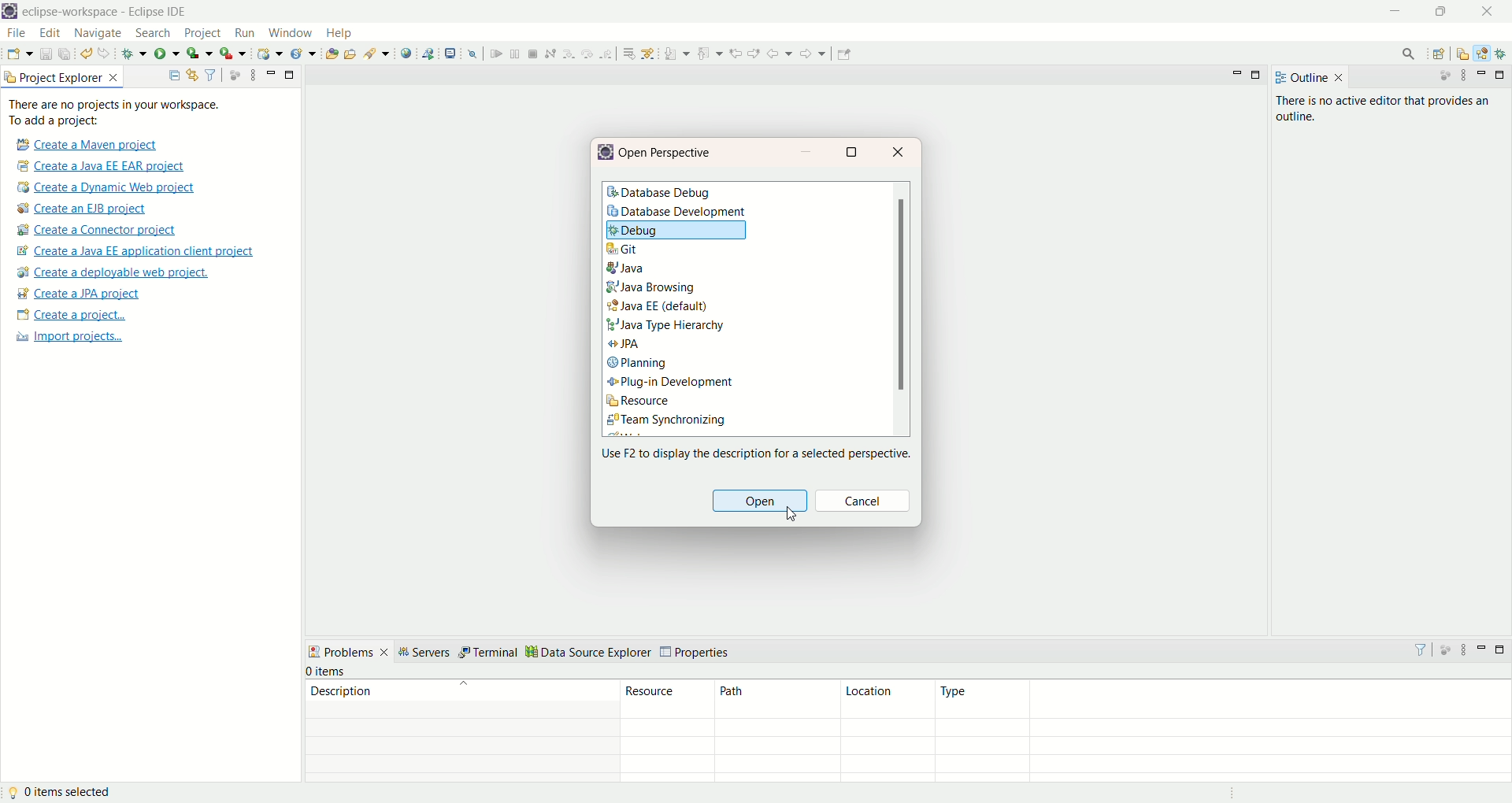 This screenshot has height=803, width=1512. Describe the element at coordinates (472, 55) in the screenshot. I see `skip all breakpoints` at that location.